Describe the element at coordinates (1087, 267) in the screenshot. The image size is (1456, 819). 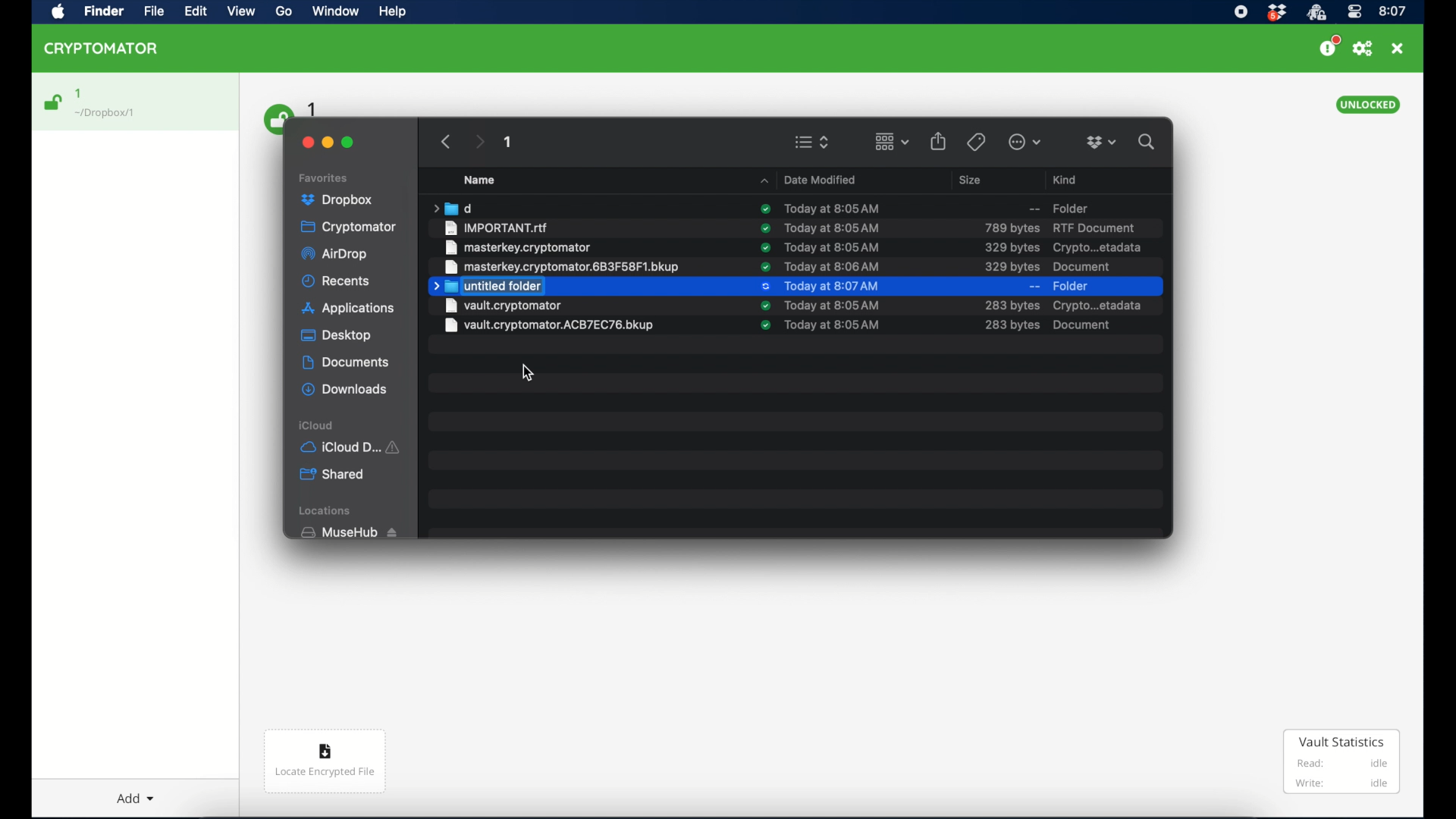
I see `document` at that location.